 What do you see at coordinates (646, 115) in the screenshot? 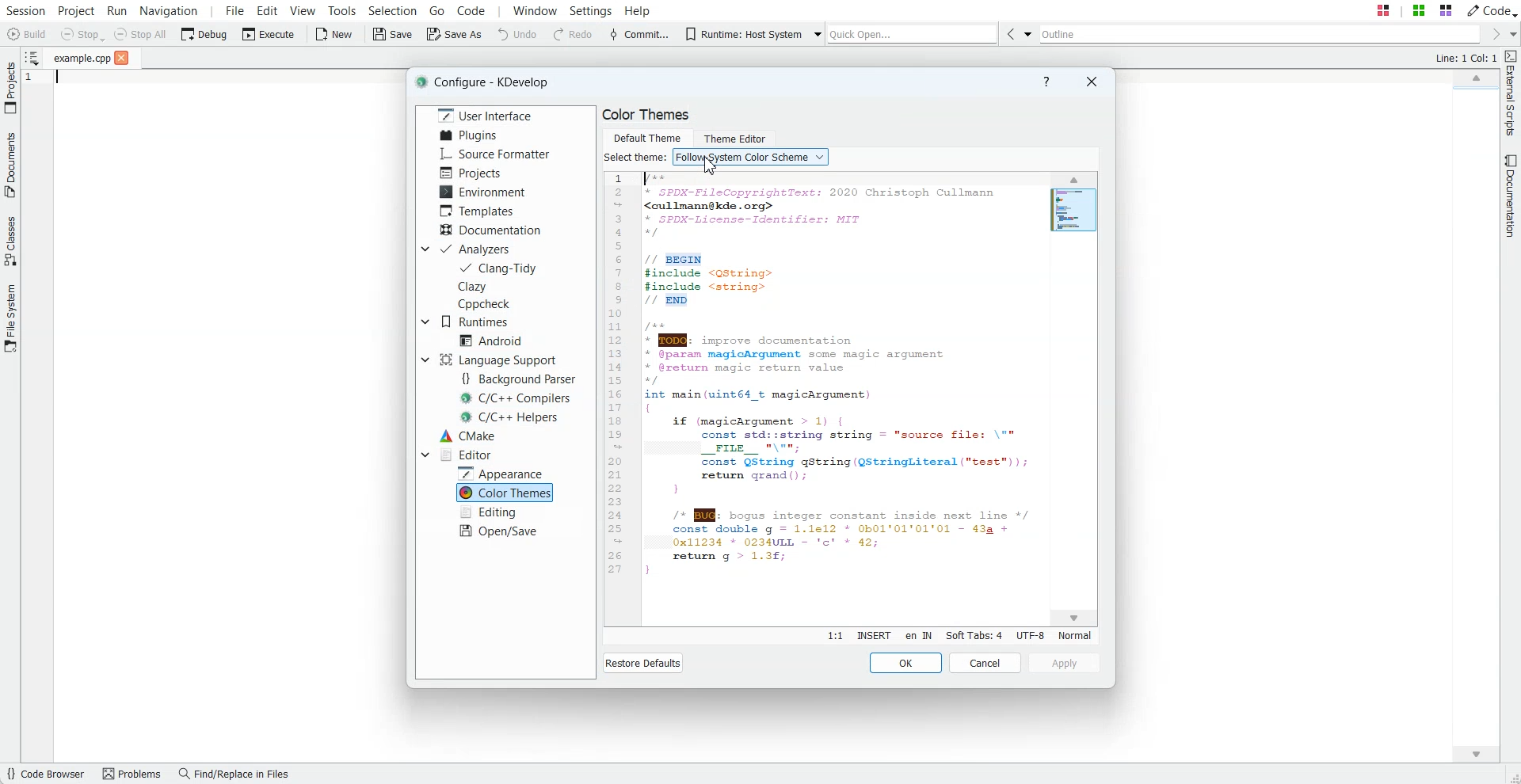
I see `Text` at bounding box center [646, 115].